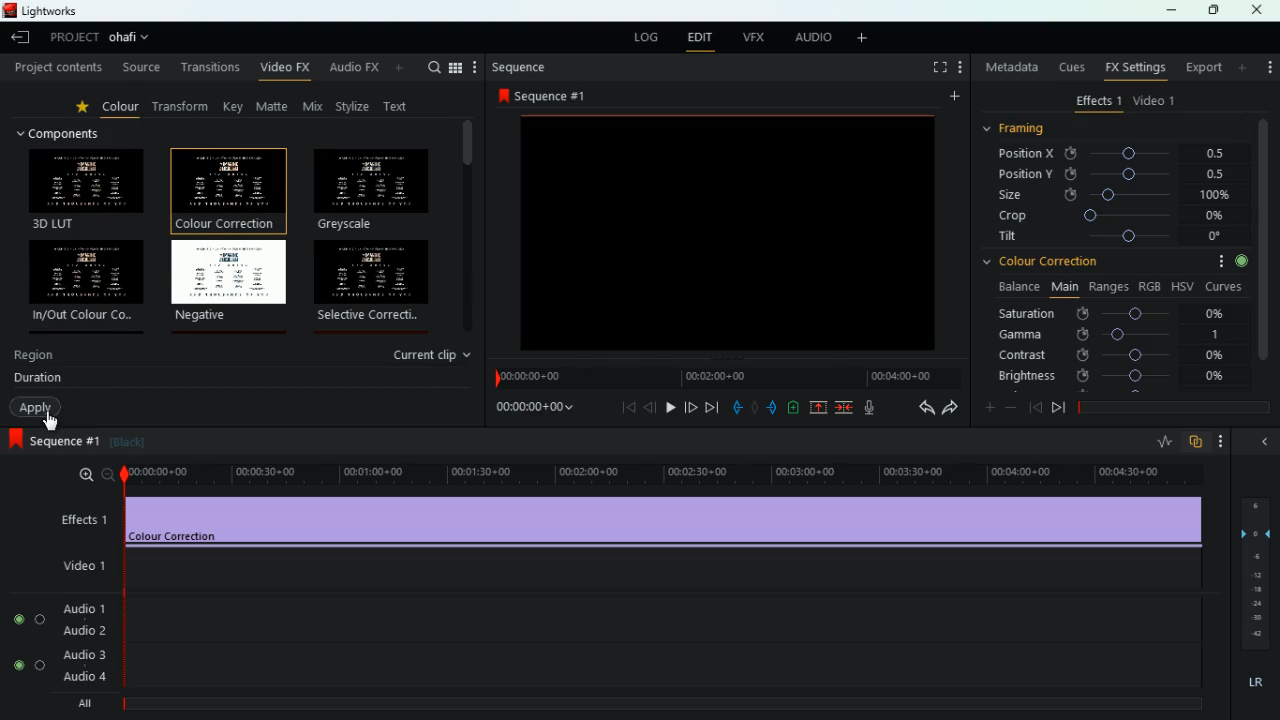 The width and height of the screenshot is (1280, 720). What do you see at coordinates (375, 283) in the screenshot?
I see `selective correction` at bounding box center [375, 283].